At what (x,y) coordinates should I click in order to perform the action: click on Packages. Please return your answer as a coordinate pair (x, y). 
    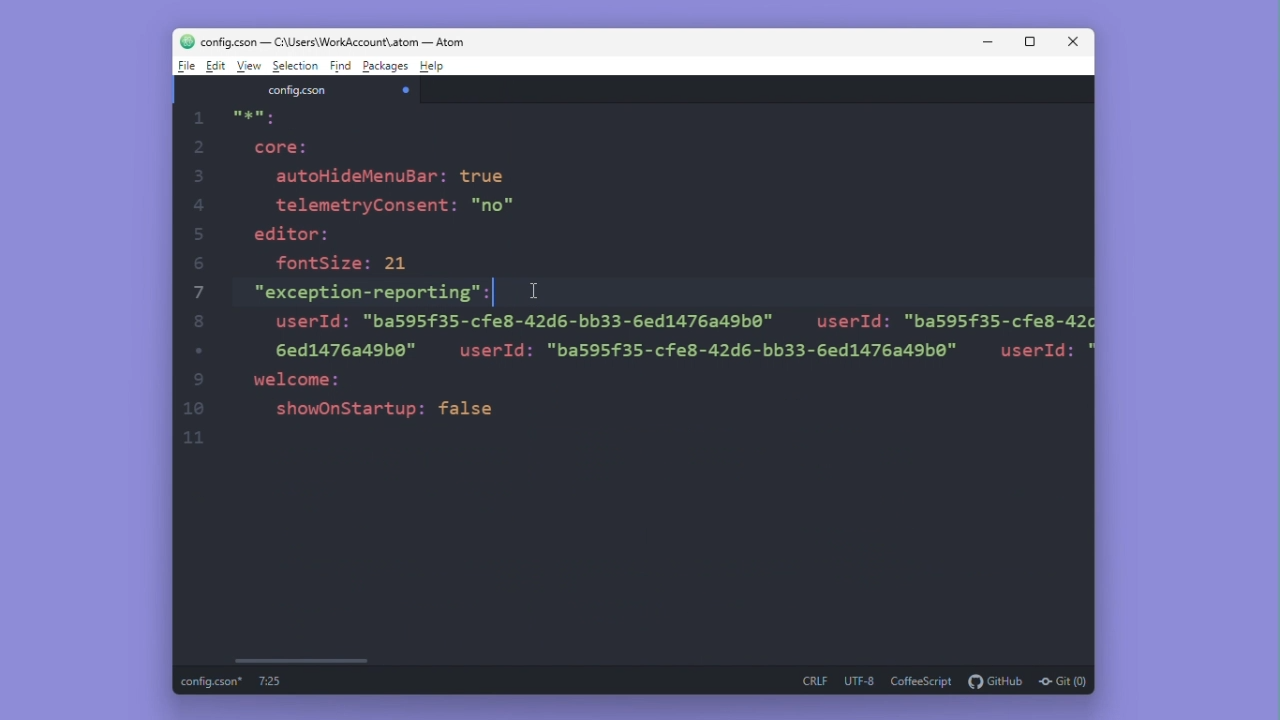
    Looking at the image, I should click on (385, 66).